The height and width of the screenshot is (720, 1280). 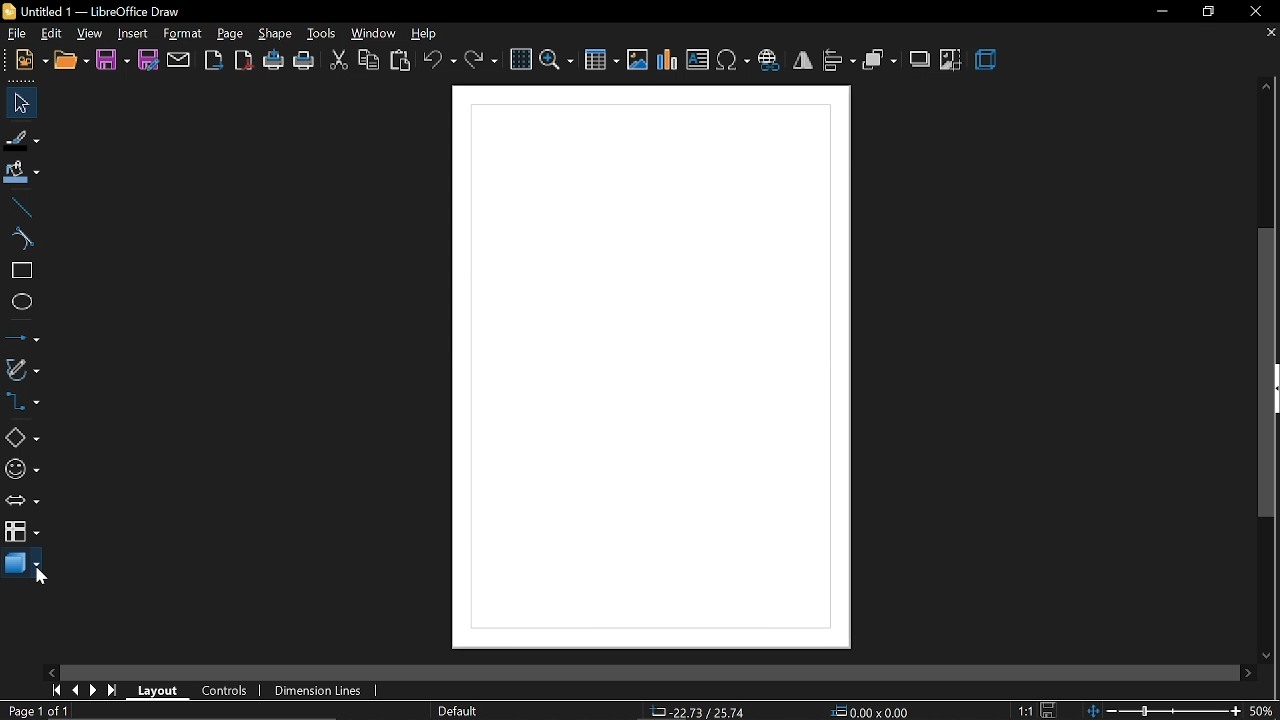 I want to click on shadow, so click(x=922, y=61).